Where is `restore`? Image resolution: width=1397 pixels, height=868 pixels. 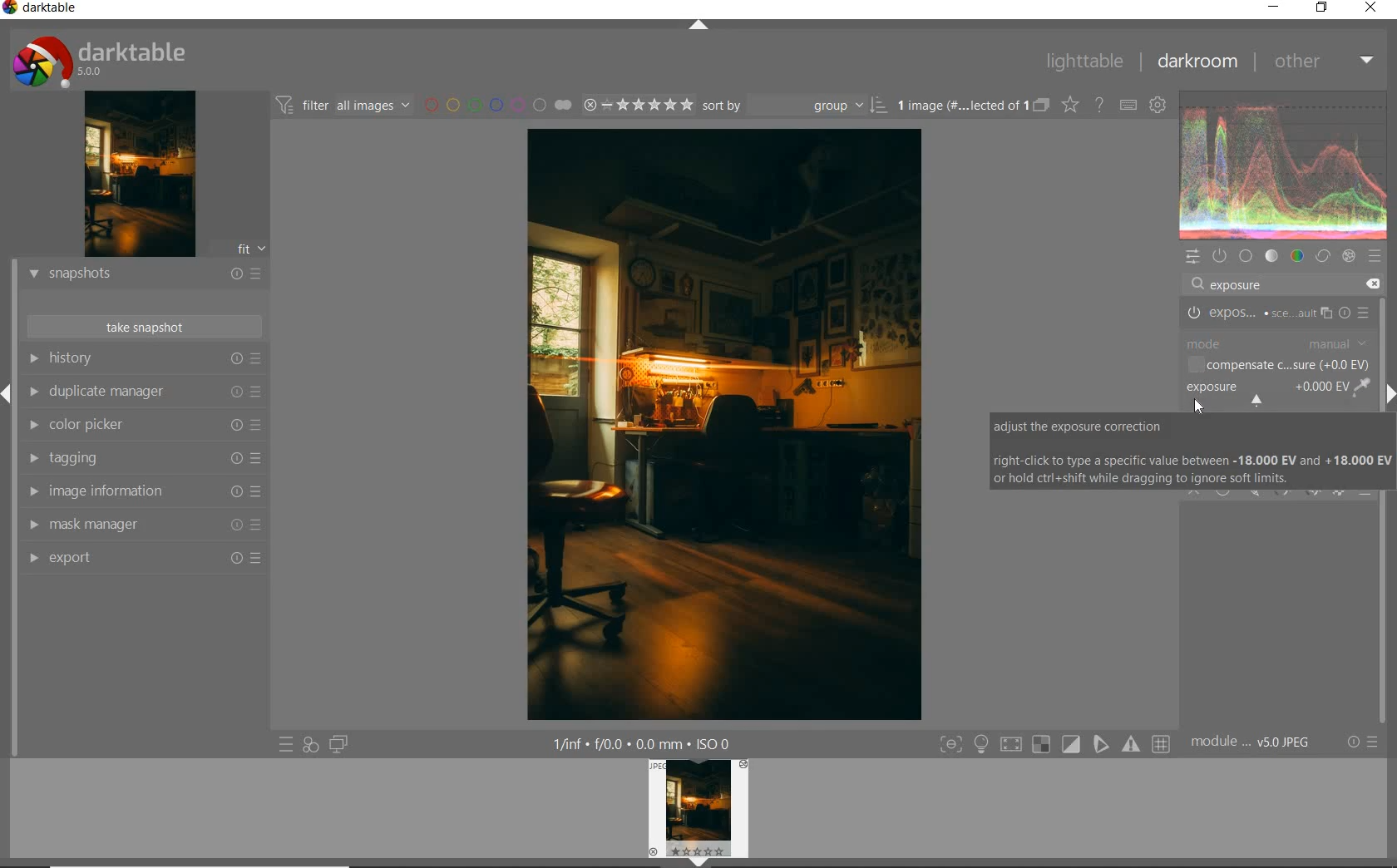
restore is located at coordinates (1325, 9).